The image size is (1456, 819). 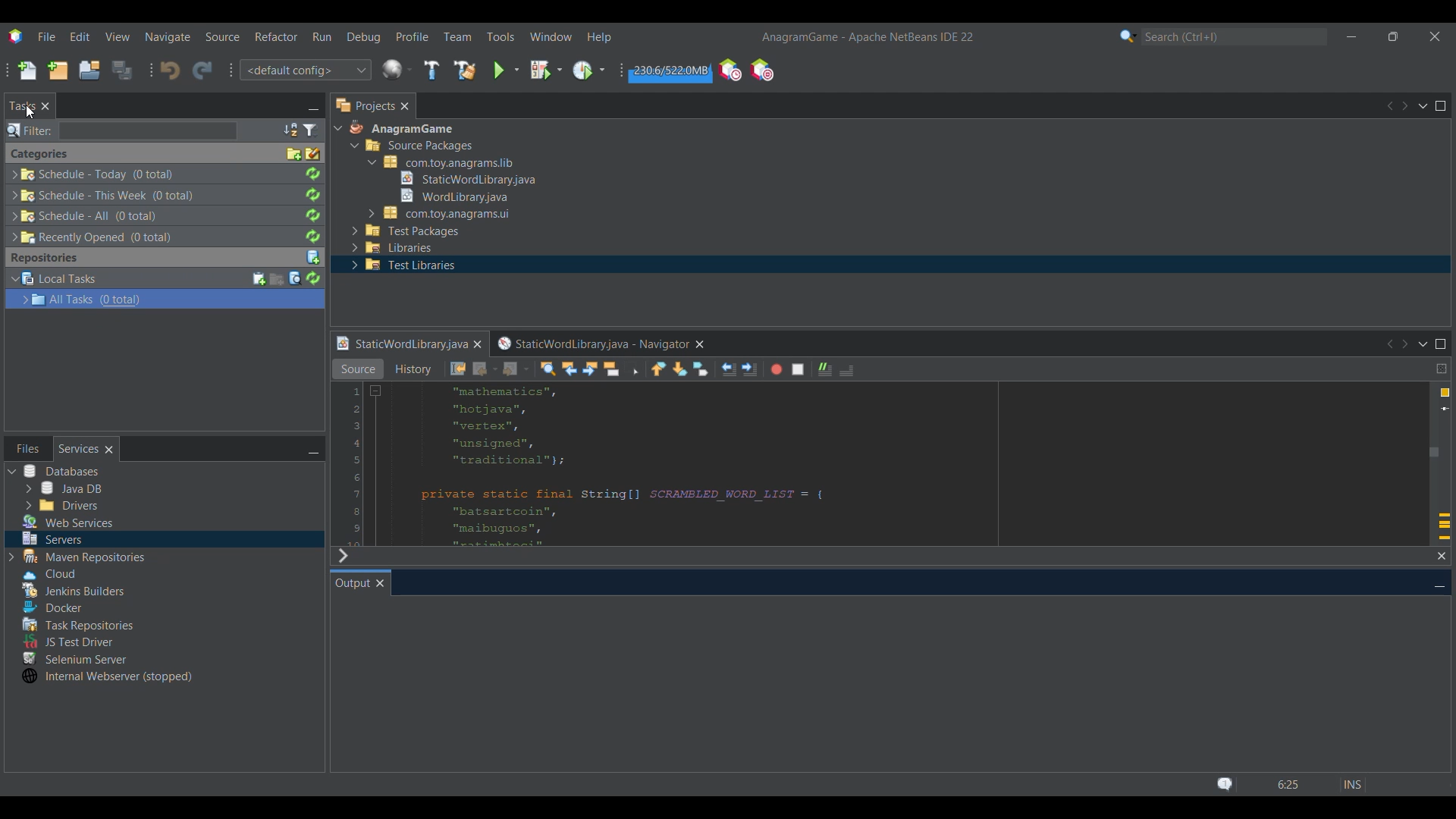 What do you see at coordinates (357, 369) in the screenshot?
I see `Source view` at bounding box center [357, 369].